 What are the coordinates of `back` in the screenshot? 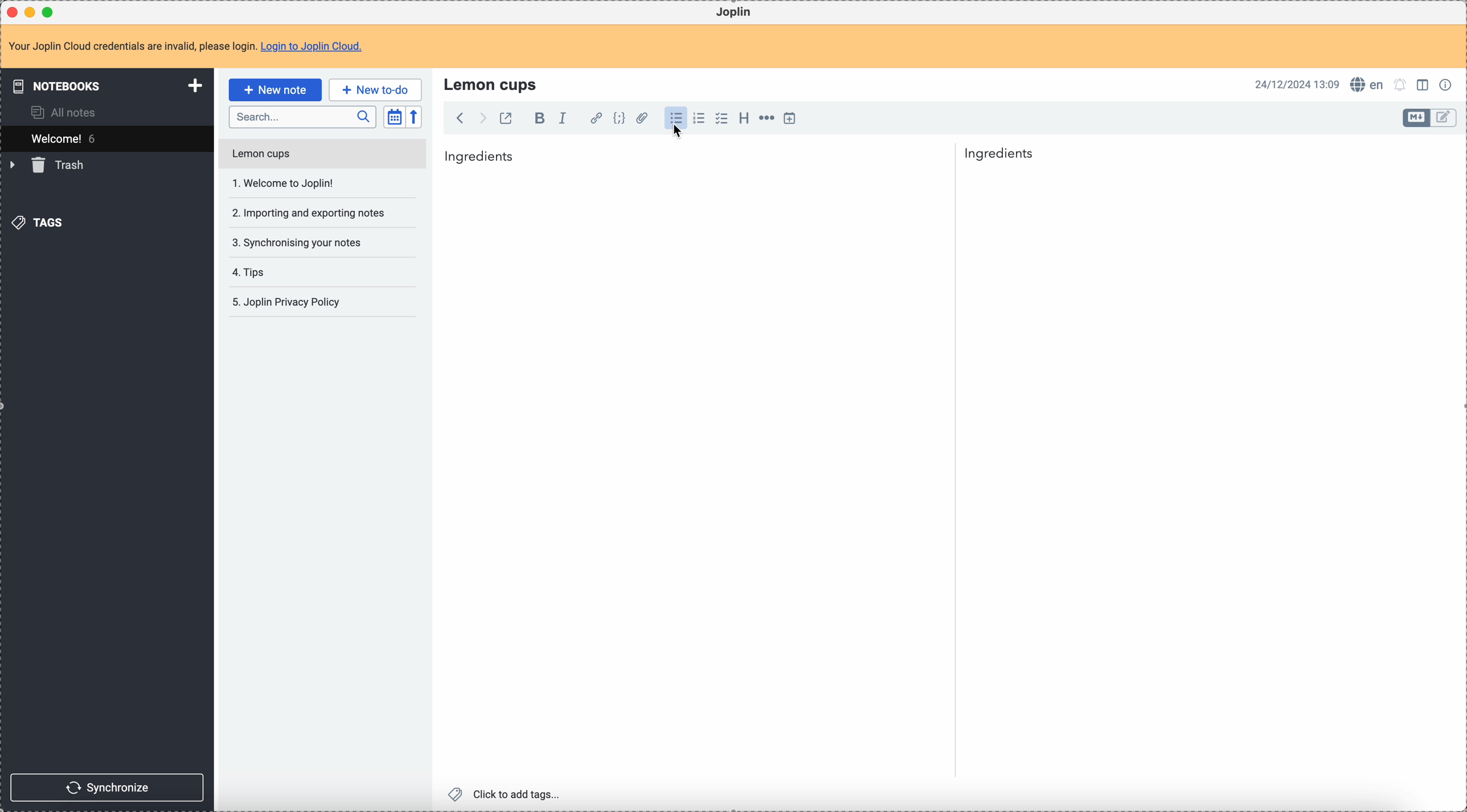 It's located at (460, 118).